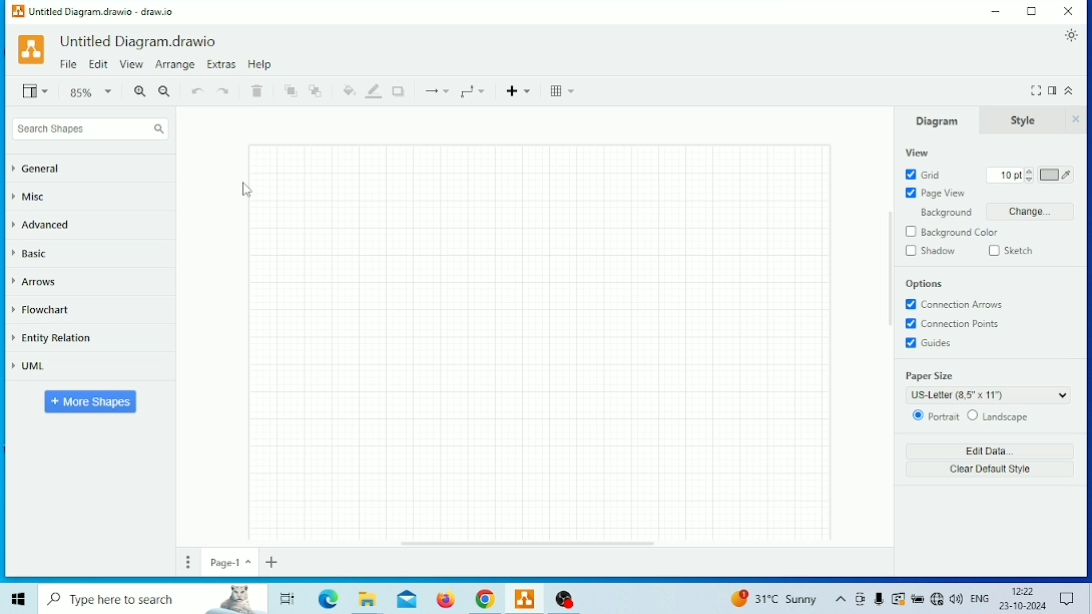  Describe the element at coordinates (889, 273) in the screenshot. I see `vertical scrollbar` at that location.